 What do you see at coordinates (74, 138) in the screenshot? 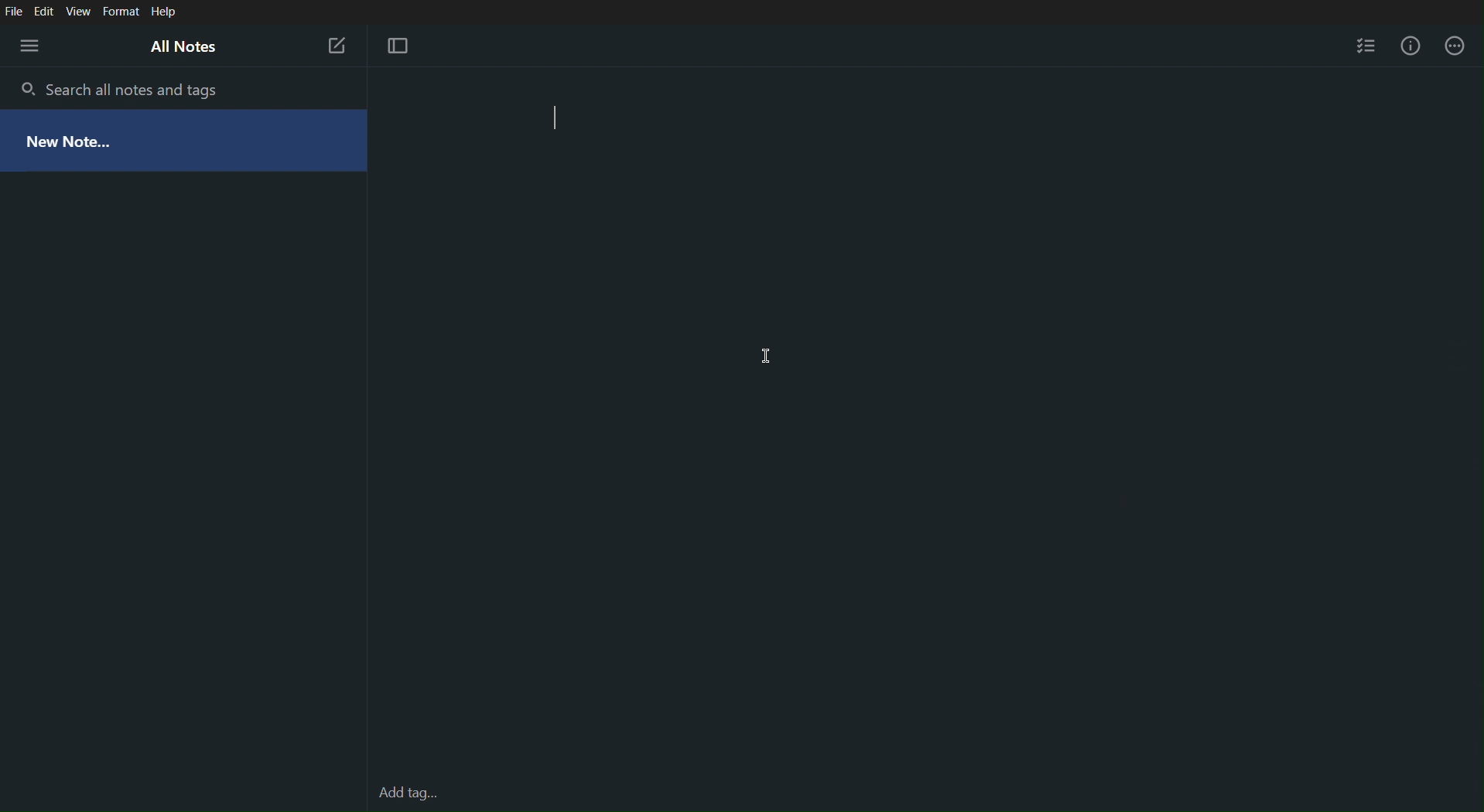
I see `New Note` at bounding box center [74, 138].